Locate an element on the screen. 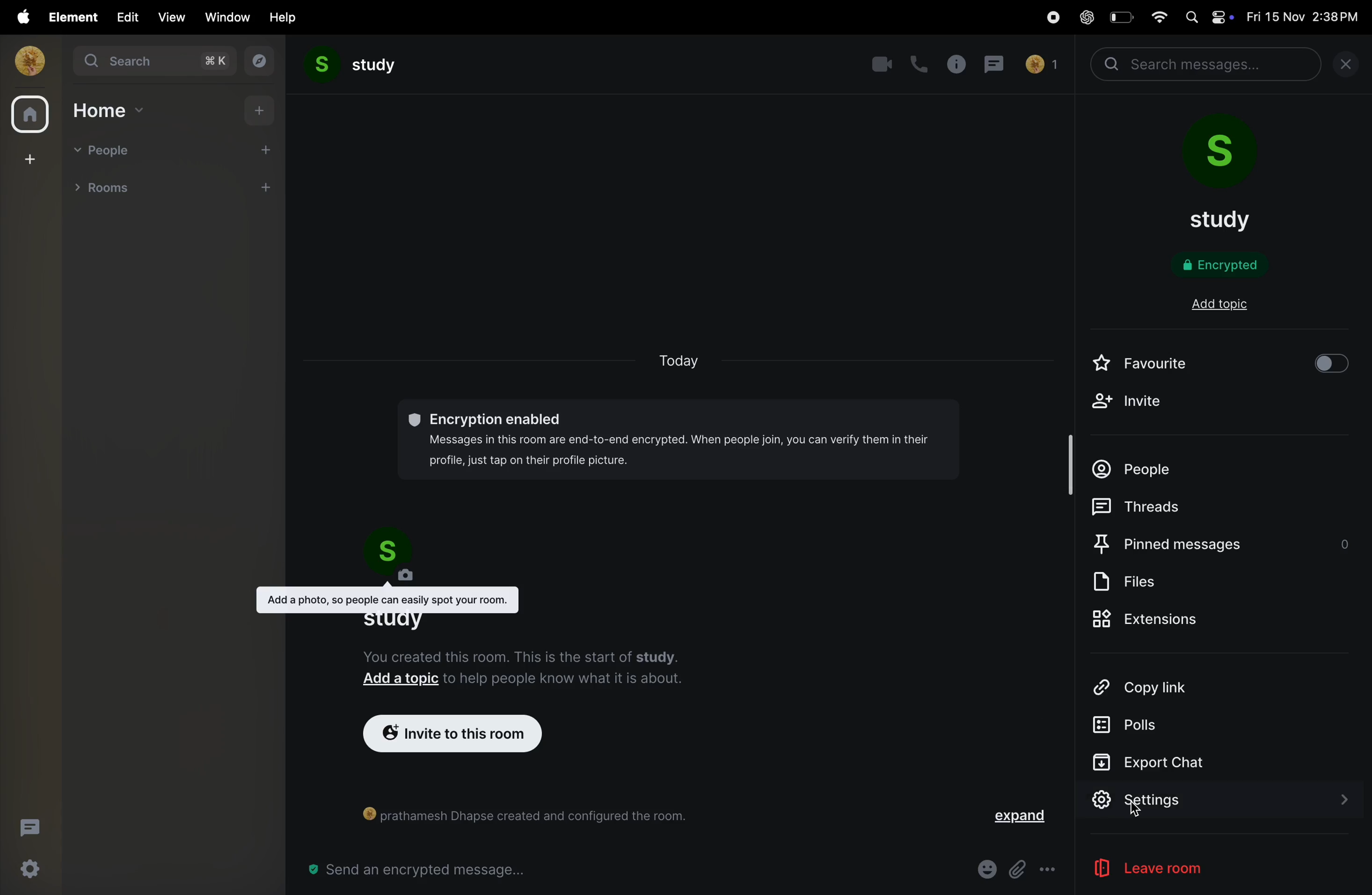  call is located at coordinates (919, 66).